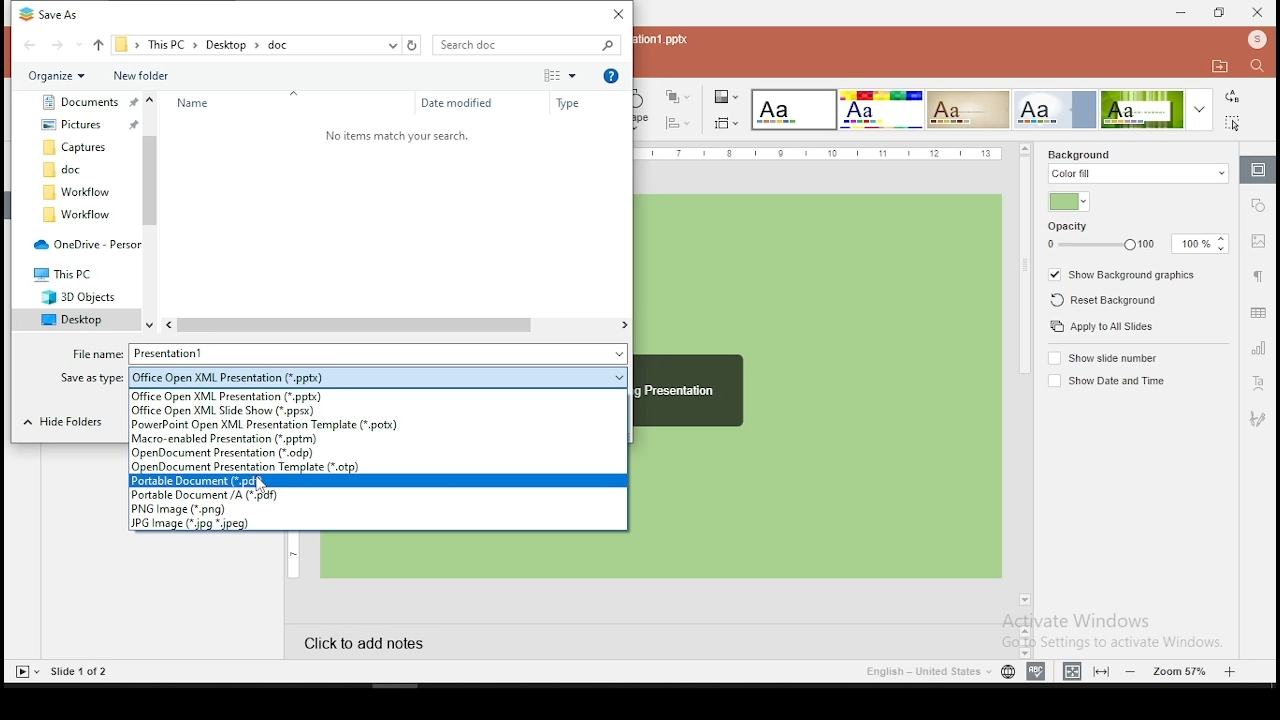 The image size is (1280, 720). Describe the element at coordinates (58, 16) in the screenshot. I see `Save As` at that location.